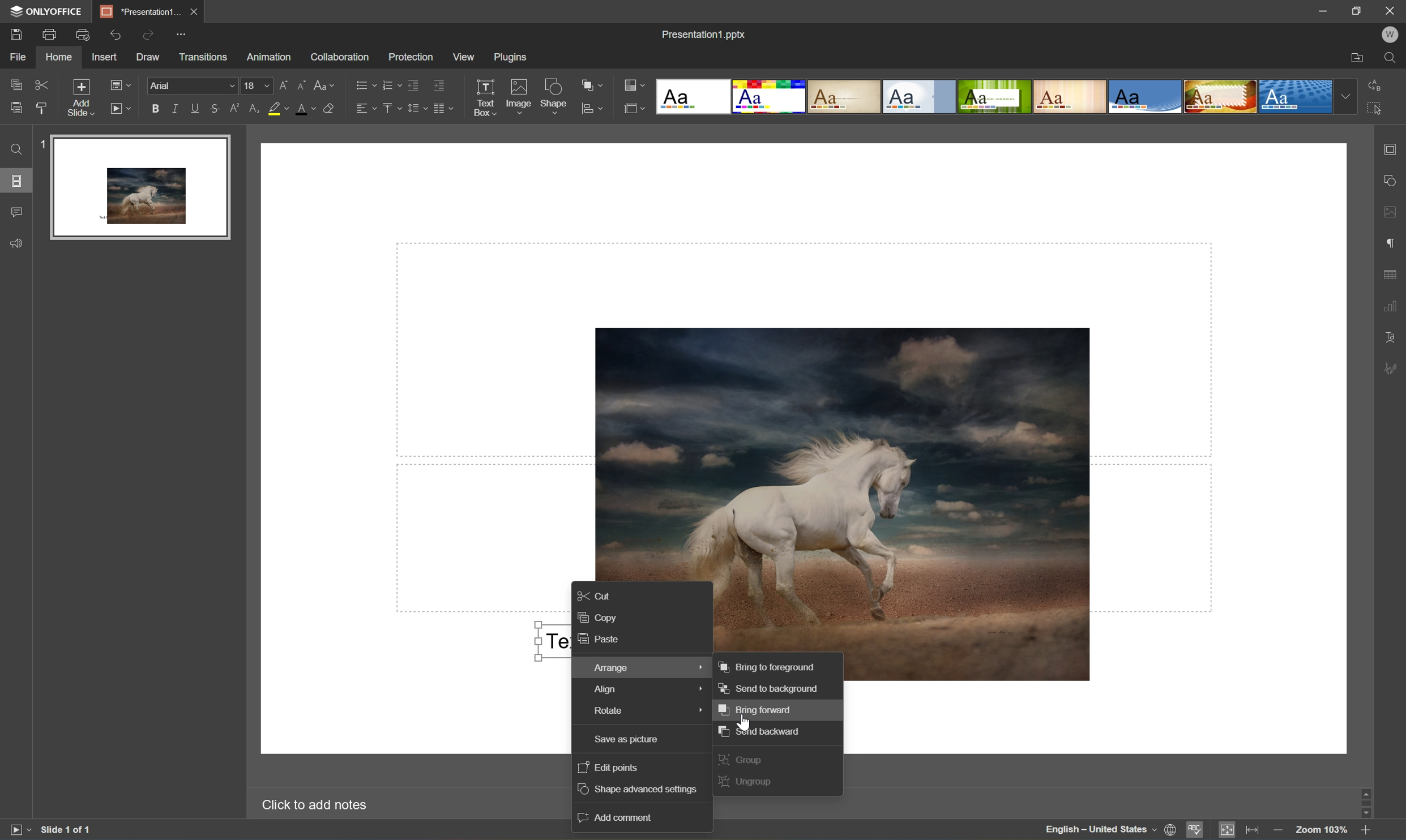  Describe the element at coordinates (860, 488) in the screenshot. I see `Image` at that location.